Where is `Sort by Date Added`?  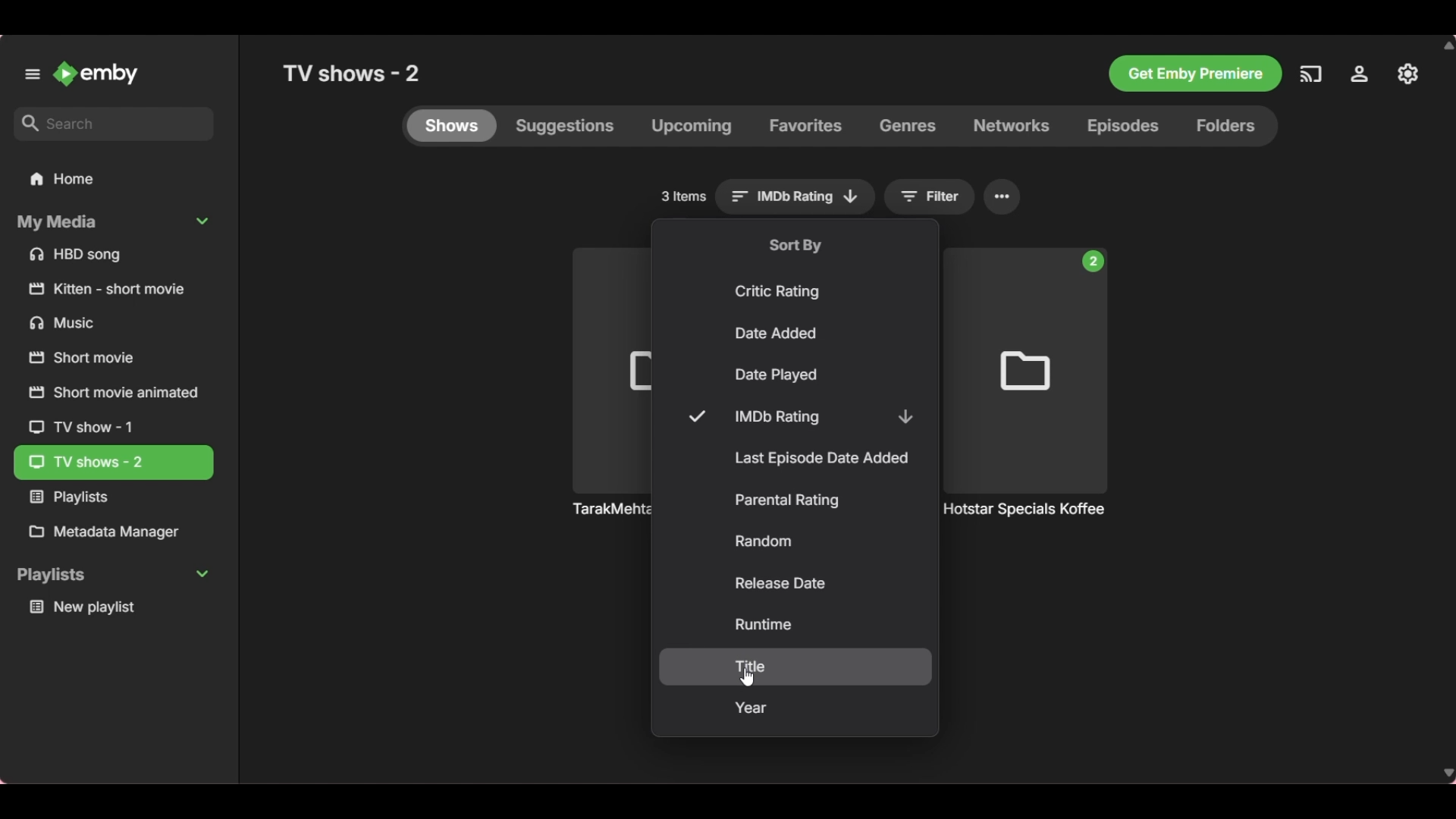 Sort by Date Added is located at coordinates (797, 334).